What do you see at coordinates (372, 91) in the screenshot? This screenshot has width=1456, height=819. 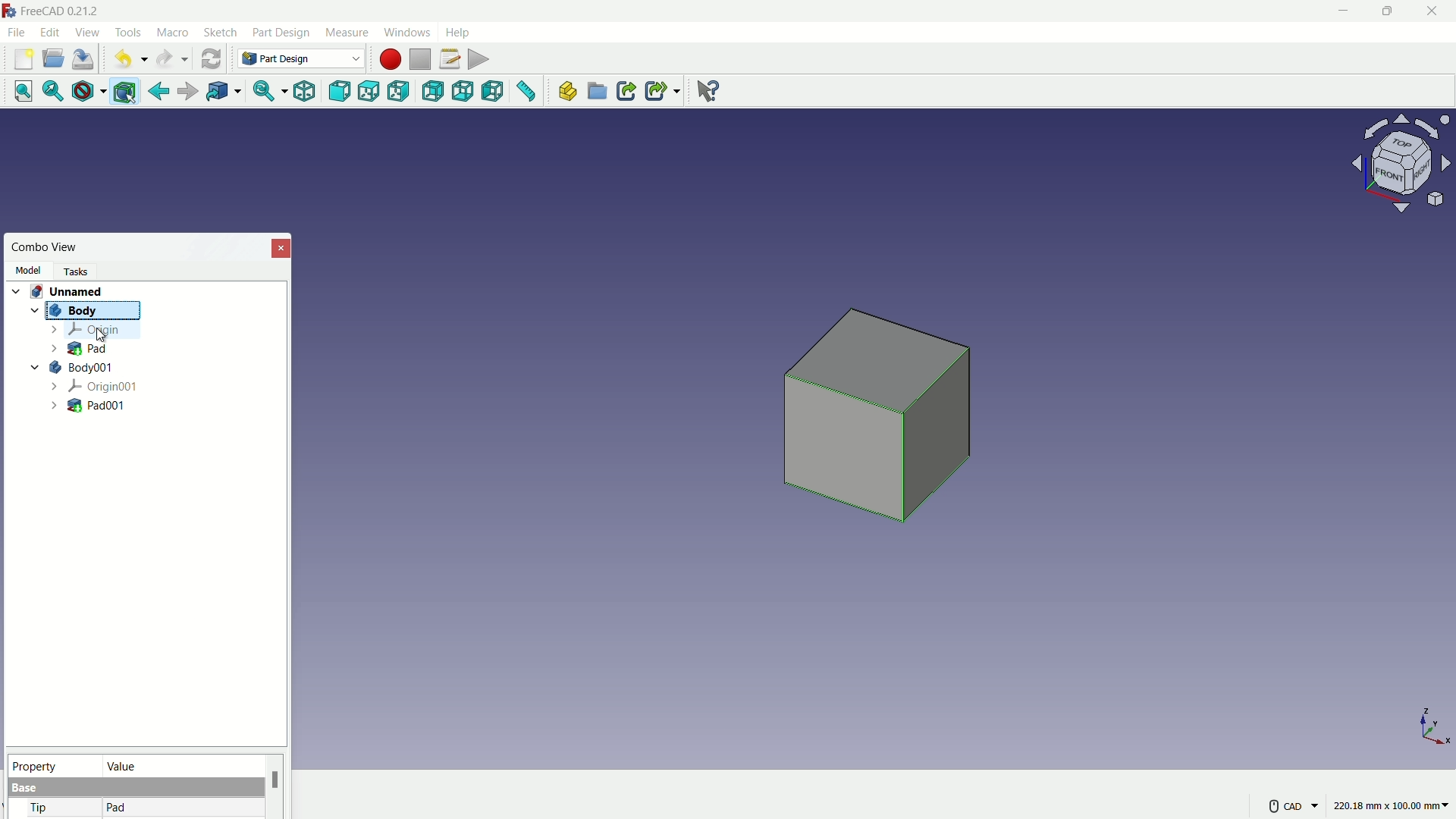 I see `top view` at bounding box center [372, 91].